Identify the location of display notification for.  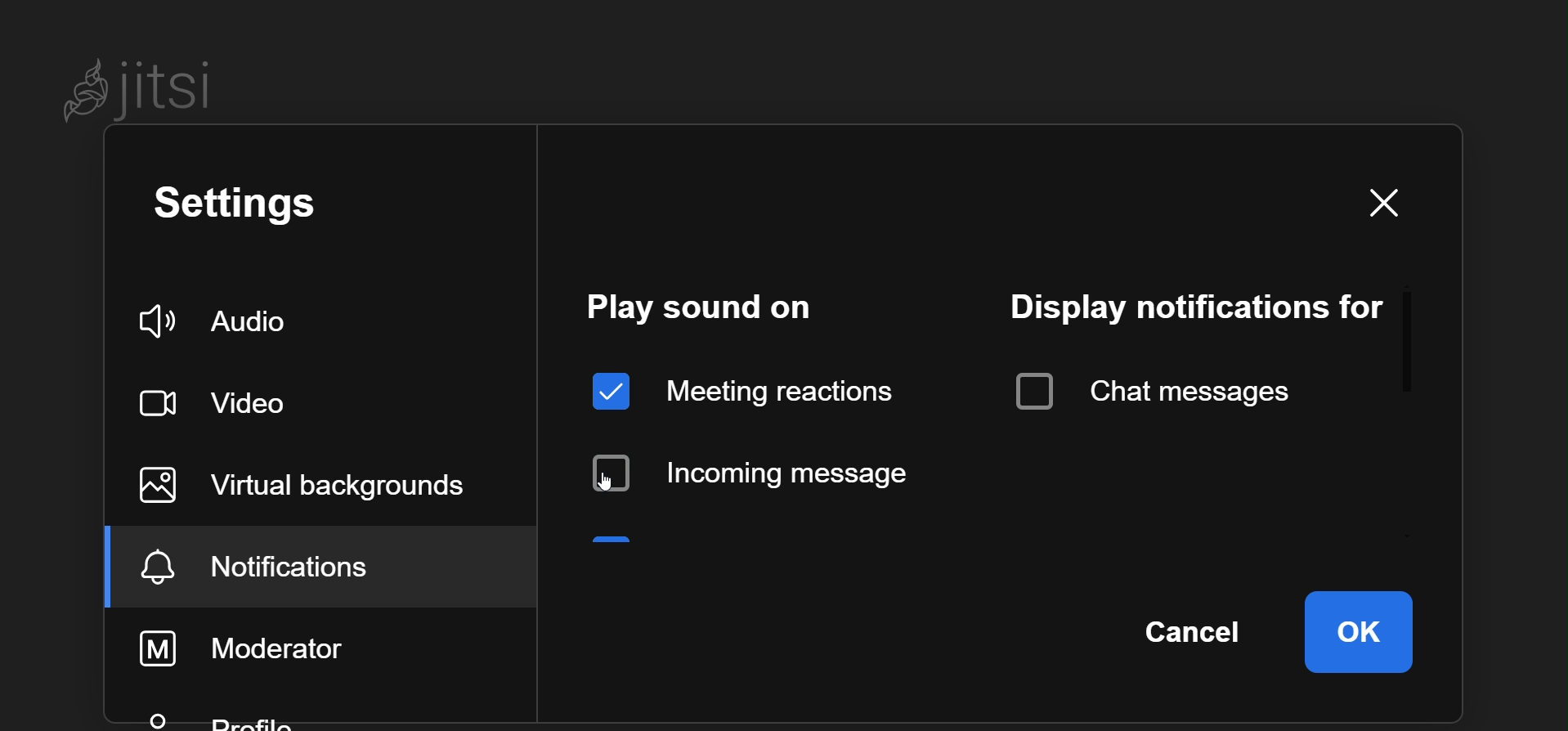
(1193, 306).